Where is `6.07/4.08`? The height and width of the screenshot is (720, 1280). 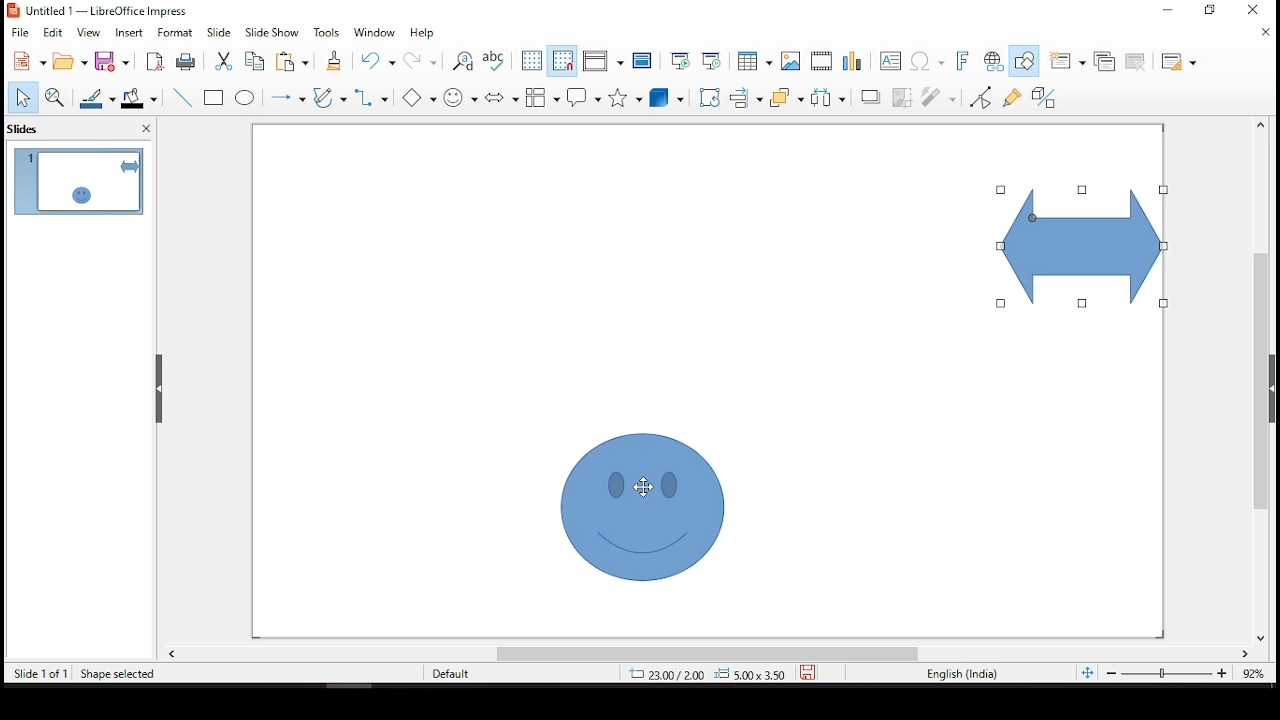
6.07/4.08 is located at coordinates (665, 674).